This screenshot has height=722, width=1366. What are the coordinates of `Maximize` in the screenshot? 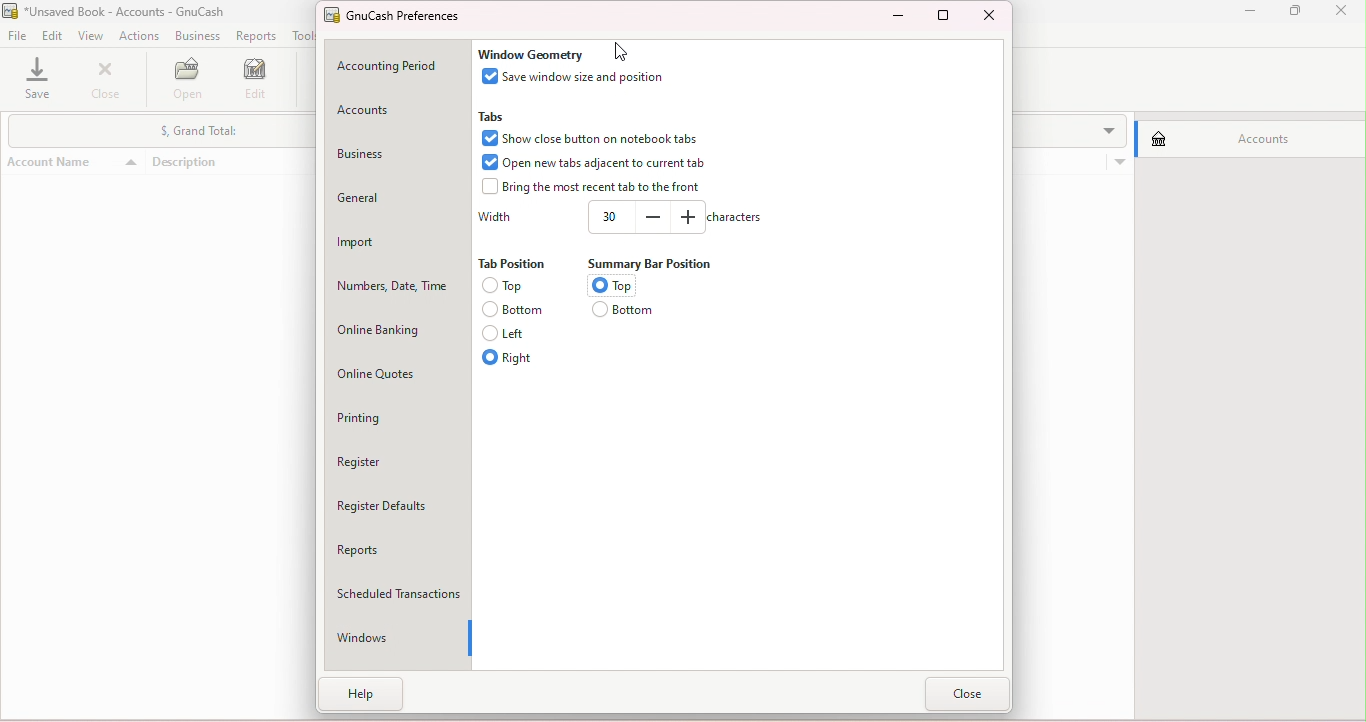 It's located at (944, 18).